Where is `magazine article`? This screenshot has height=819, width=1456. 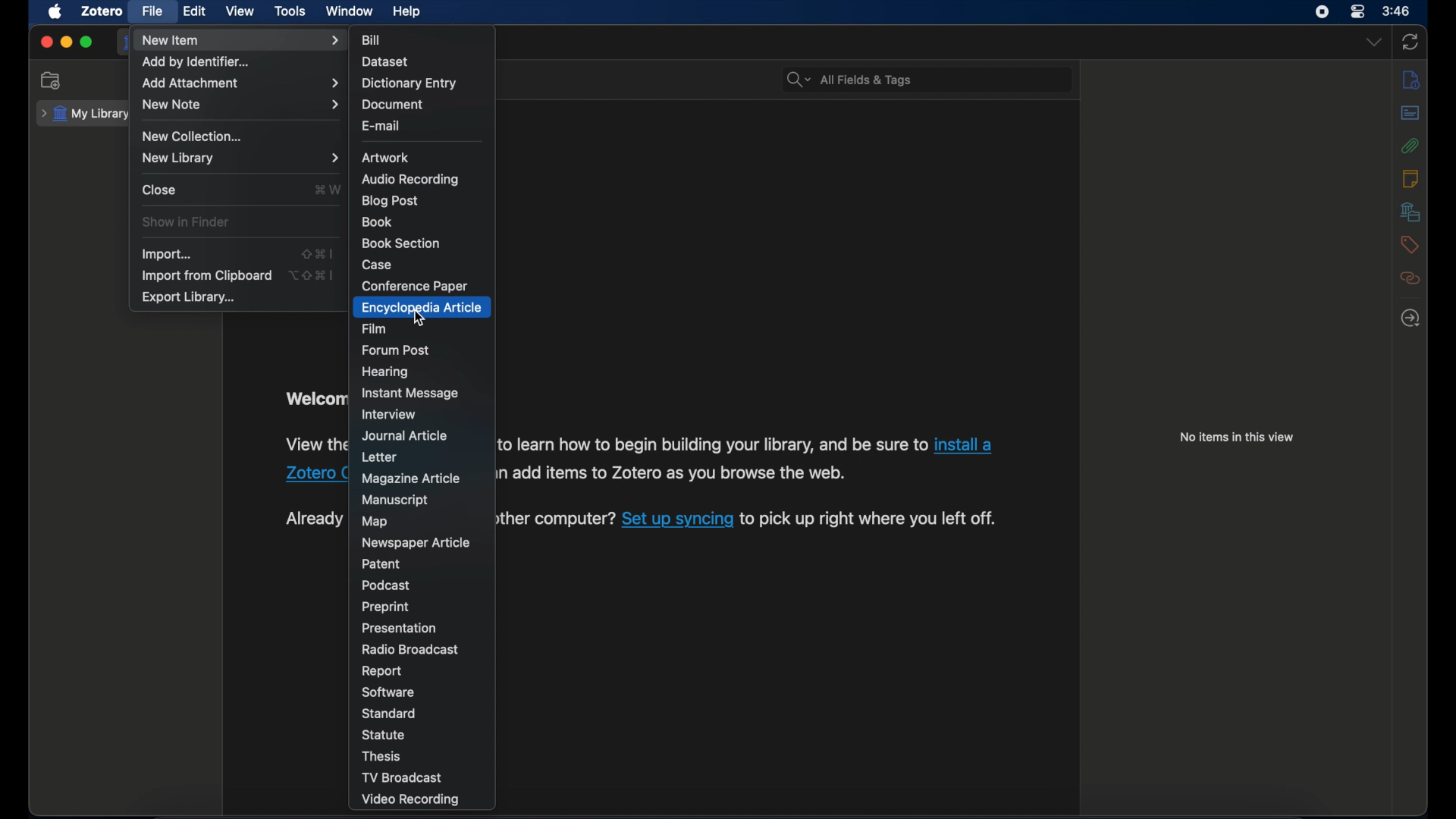
magazine article is located at coordinates (414, 479).